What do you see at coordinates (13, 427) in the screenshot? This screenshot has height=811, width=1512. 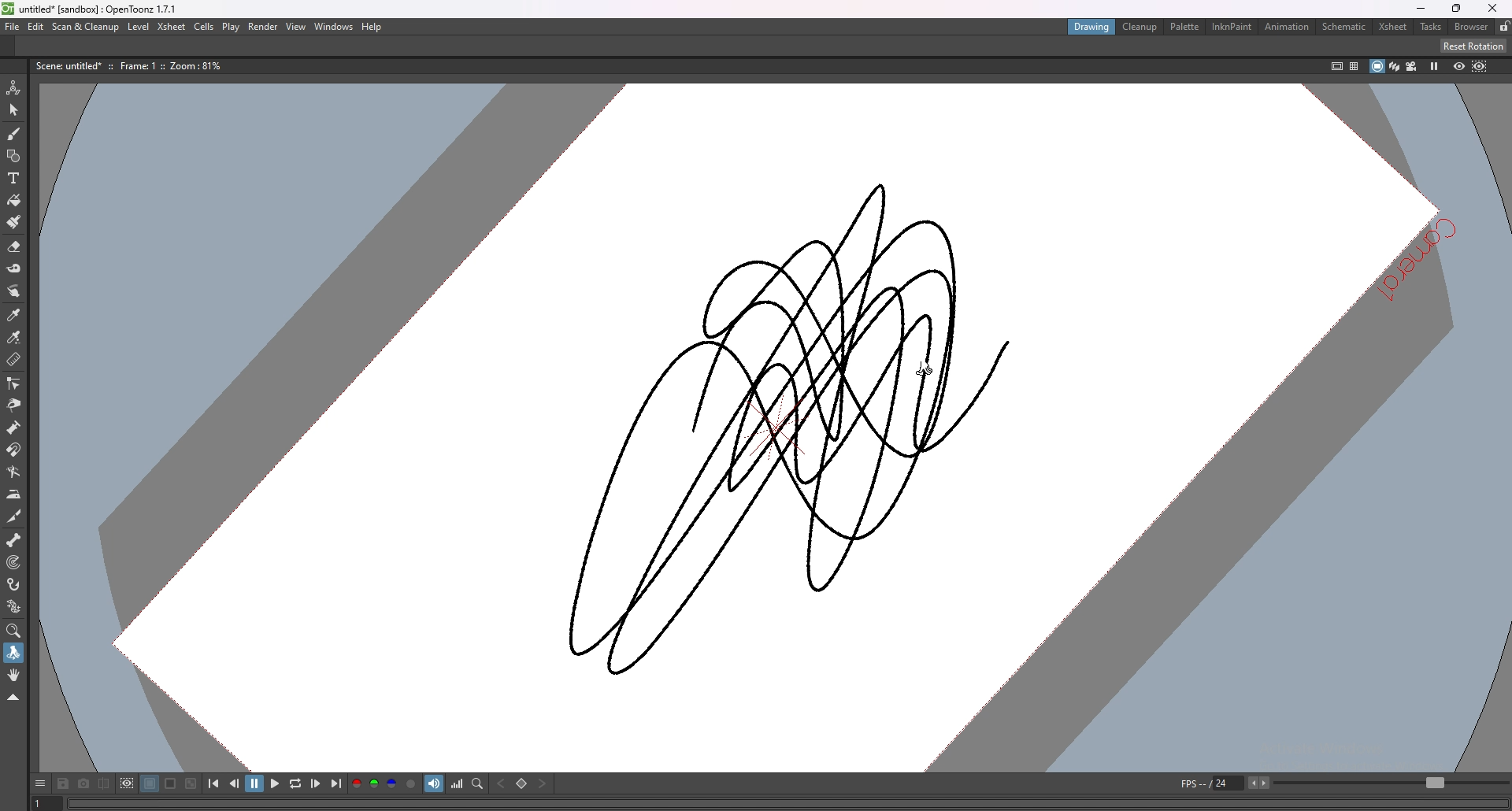 I see `pump` at bounding box center [13, 427].